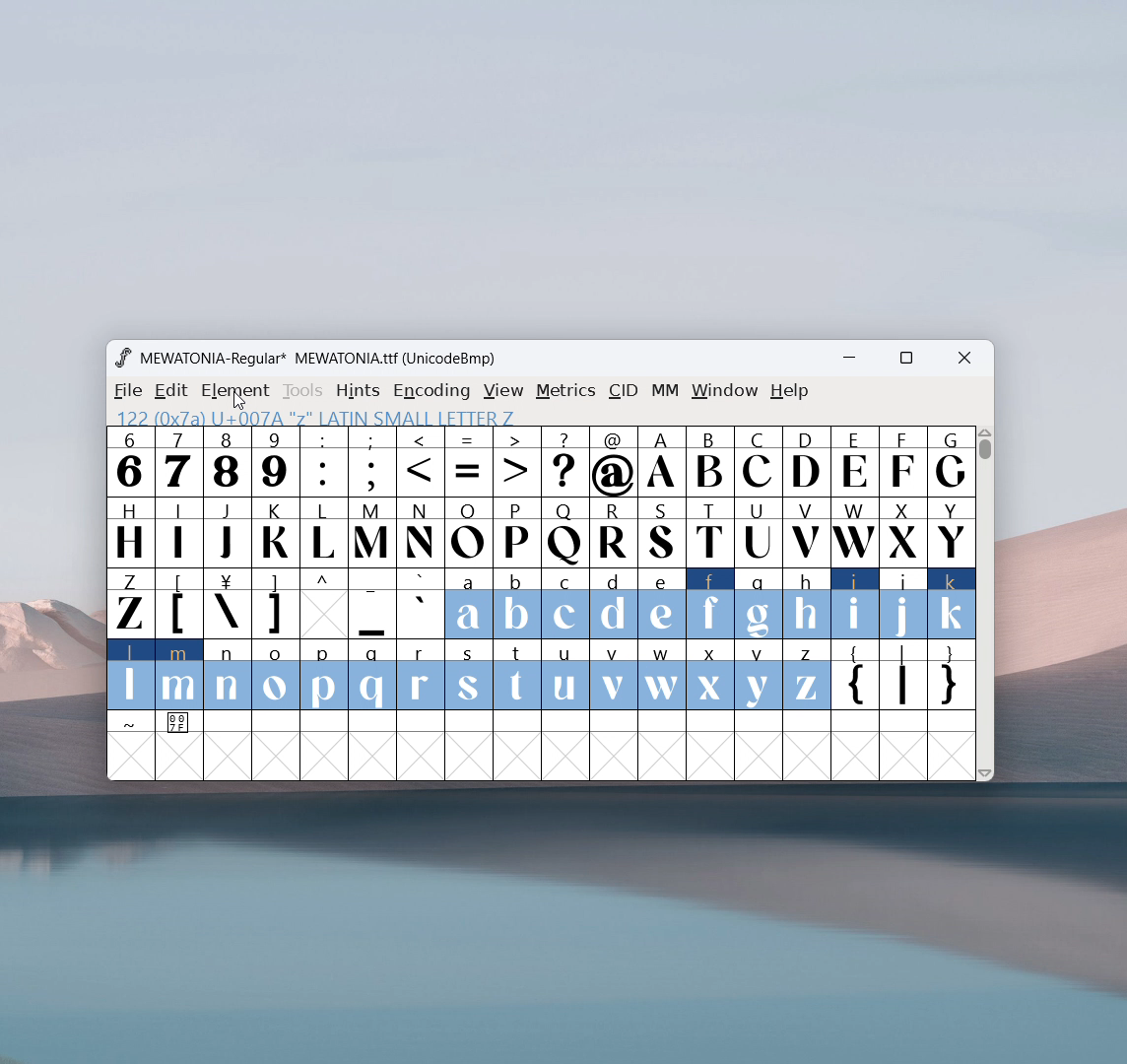 Image resolution: width=1127 pixels, height=1064 pixels. Describe the element at coordinates (324, 533) in the screenshot. I see `charachters` at that location.